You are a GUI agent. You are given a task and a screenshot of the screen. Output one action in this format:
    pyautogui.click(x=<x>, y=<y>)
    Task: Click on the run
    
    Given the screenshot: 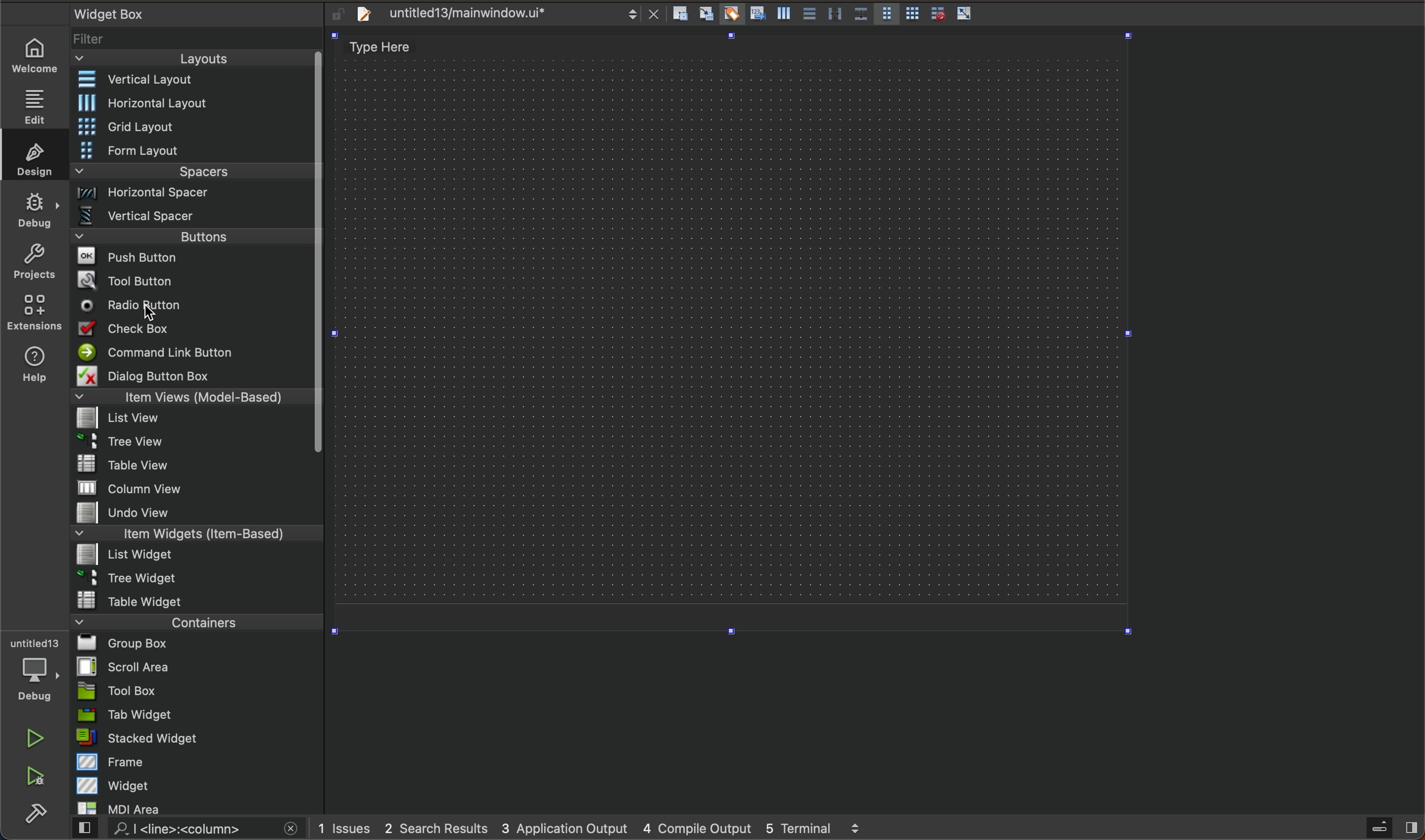 What is the action you would take?
    pyautogui.click(x=37, y=738)
    